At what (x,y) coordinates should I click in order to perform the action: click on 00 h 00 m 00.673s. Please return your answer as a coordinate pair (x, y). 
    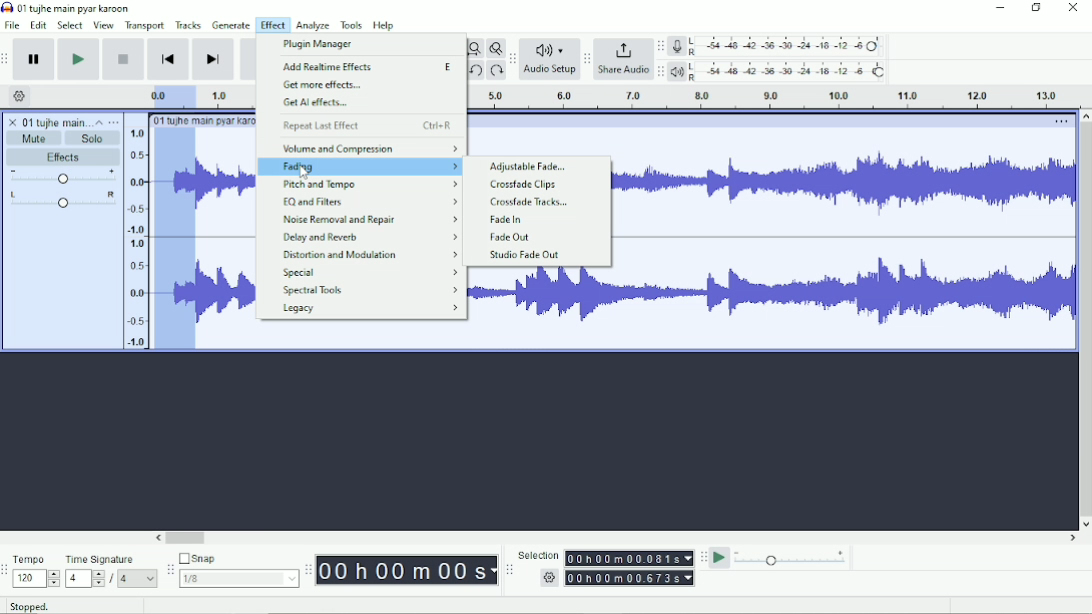
    Looking at the image, I should click on (632, 577).